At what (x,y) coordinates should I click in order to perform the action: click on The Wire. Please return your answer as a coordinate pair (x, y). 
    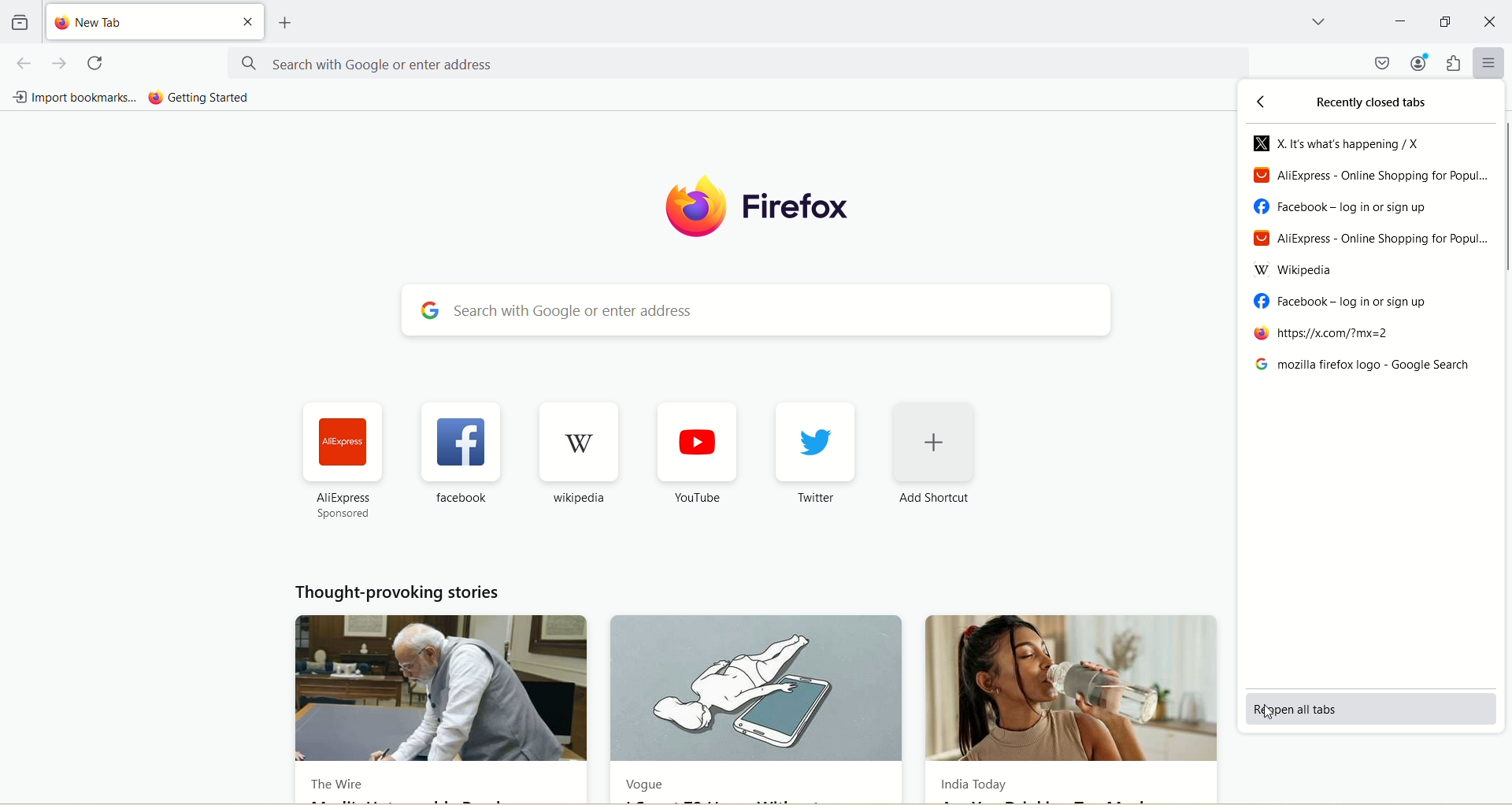
    Looking at the image, I should click on (336, 787).